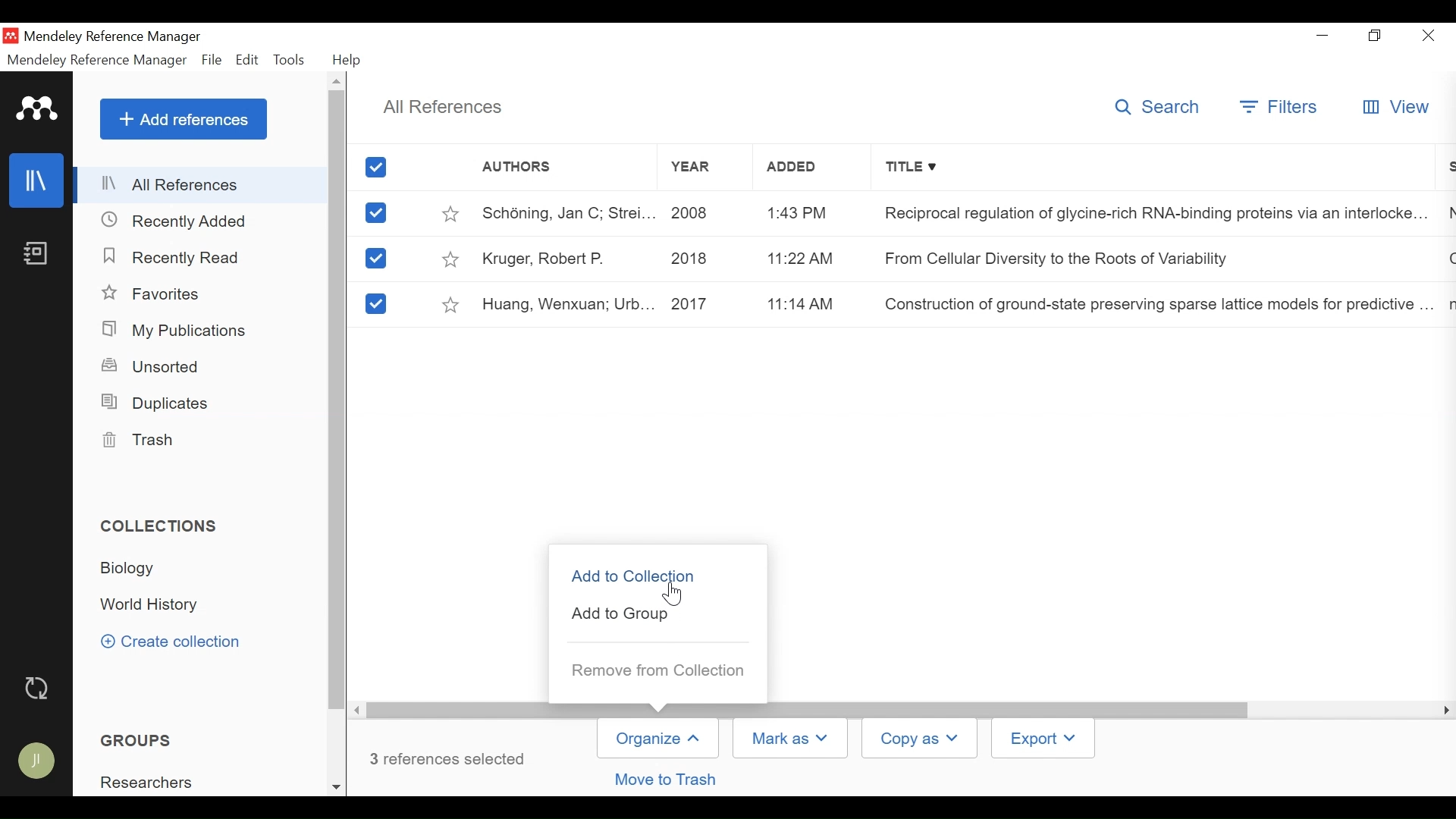  I want to click on Duplicates, so click(156, 403).